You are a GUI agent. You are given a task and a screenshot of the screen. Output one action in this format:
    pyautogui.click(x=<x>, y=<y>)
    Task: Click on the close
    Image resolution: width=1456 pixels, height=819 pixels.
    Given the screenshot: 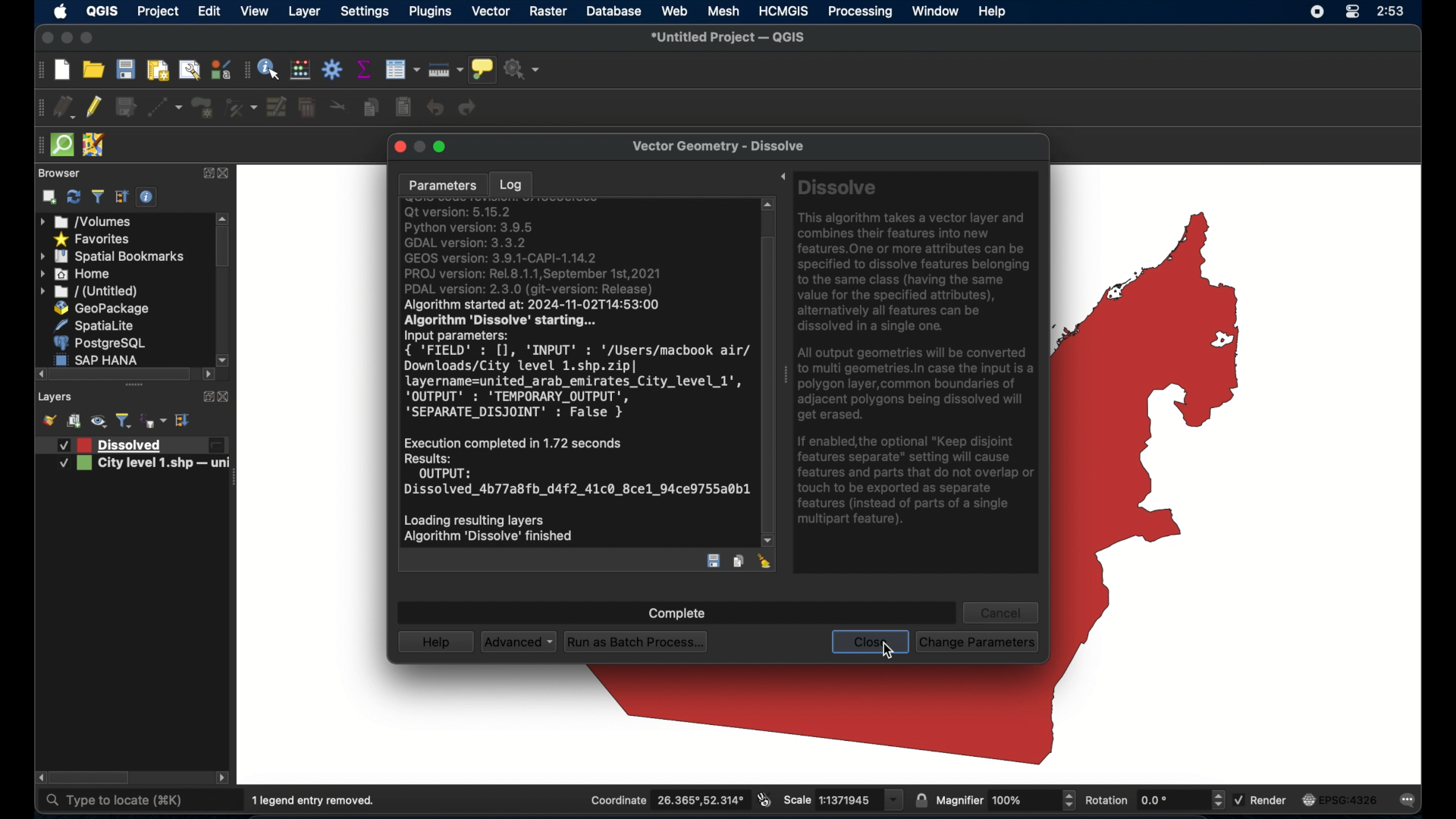 What is the action you would take?
    pyautogui.click(x=224, y=397)
    